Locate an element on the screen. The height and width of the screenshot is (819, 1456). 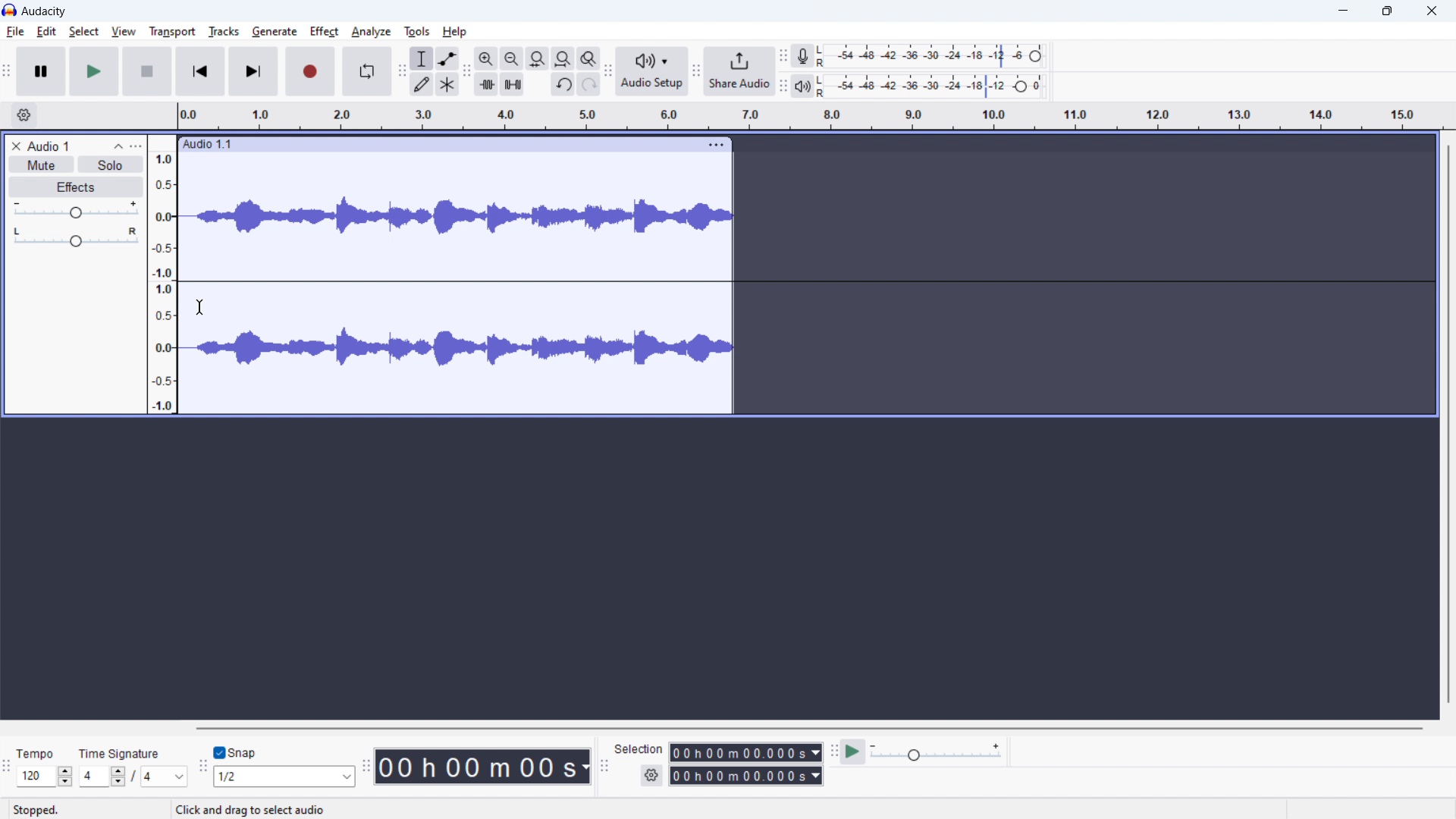
close is located at coordinates (1431, 11).